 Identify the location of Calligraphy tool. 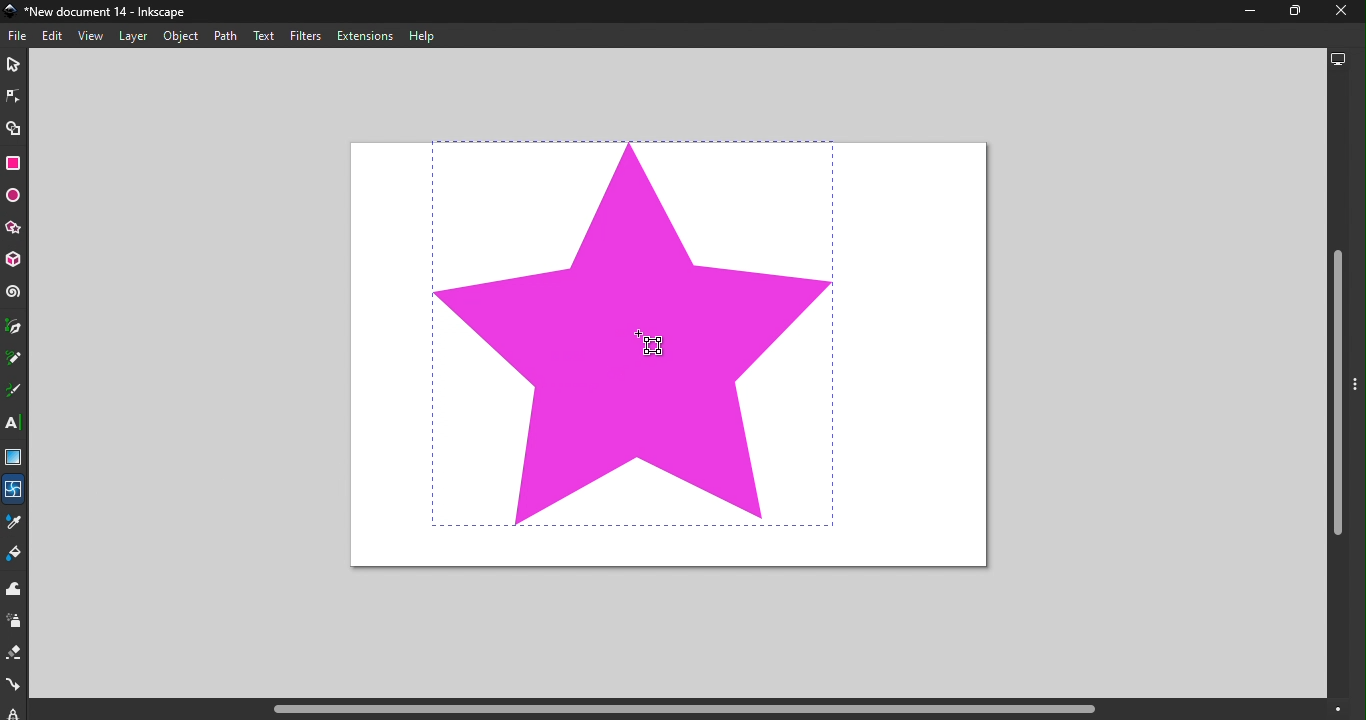
(17, 391).